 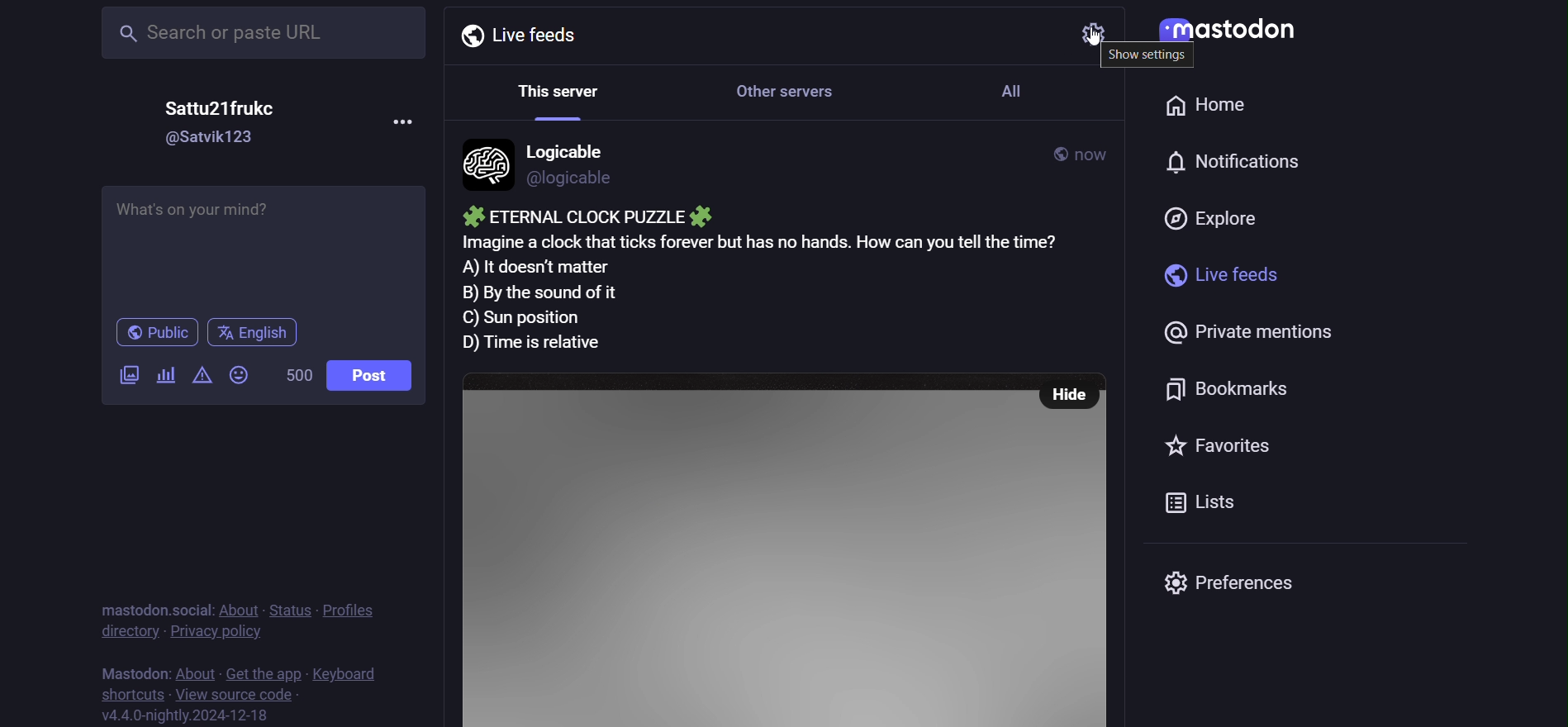 I want to click on live feed, so click(x=1213, y=273).